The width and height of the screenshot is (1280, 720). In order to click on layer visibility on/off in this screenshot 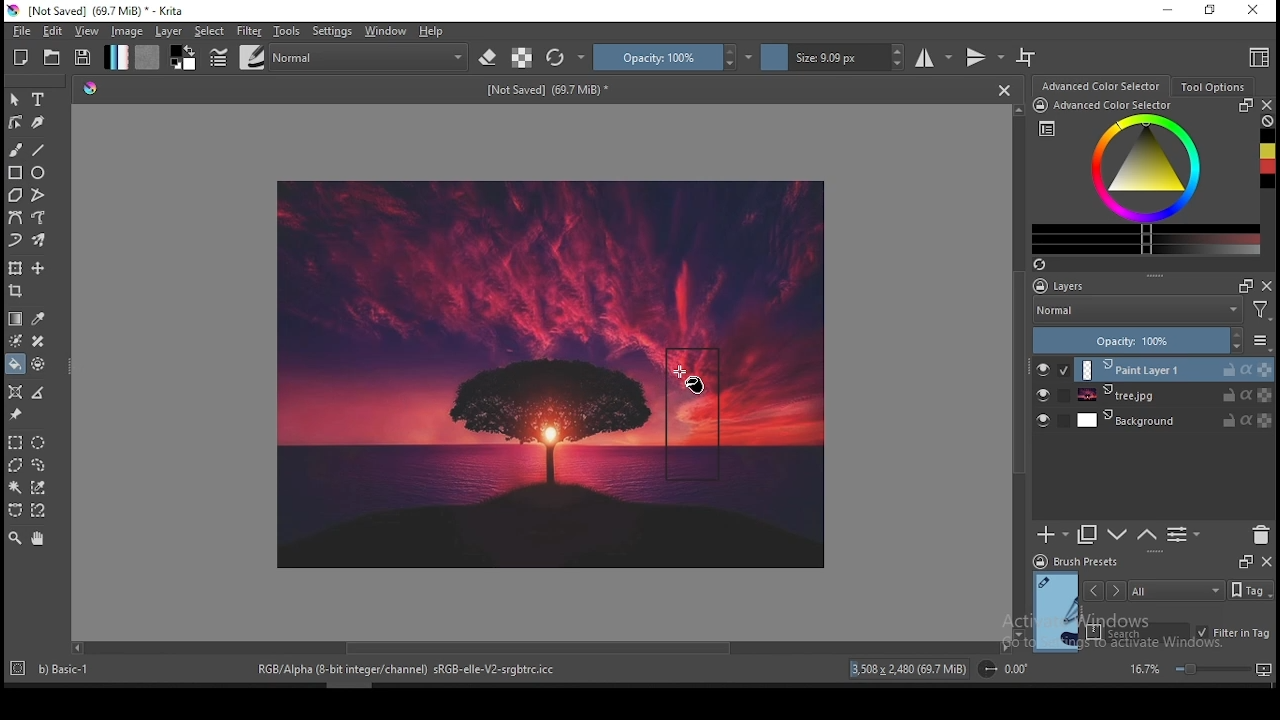, I will do `click(1043, 395)`.